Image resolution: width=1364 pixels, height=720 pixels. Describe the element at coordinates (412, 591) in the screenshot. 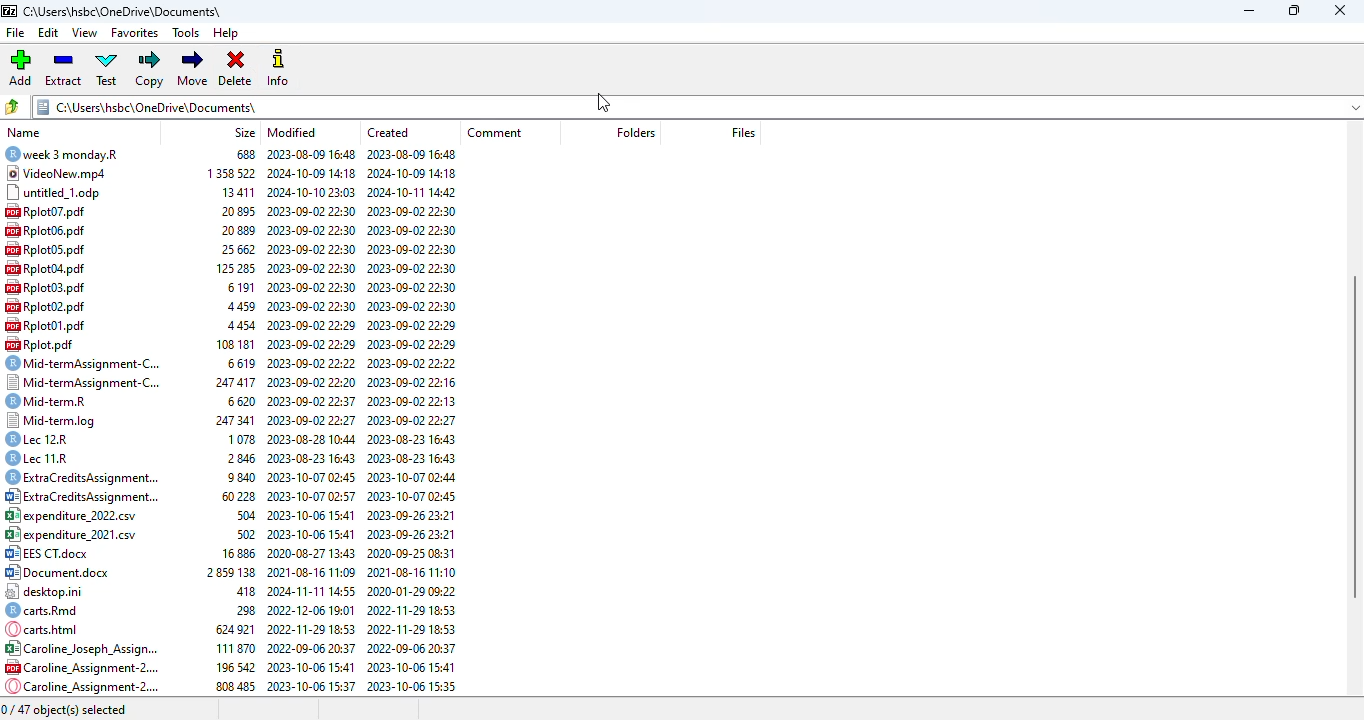

I see `2020-01-29 09:22` at that location.